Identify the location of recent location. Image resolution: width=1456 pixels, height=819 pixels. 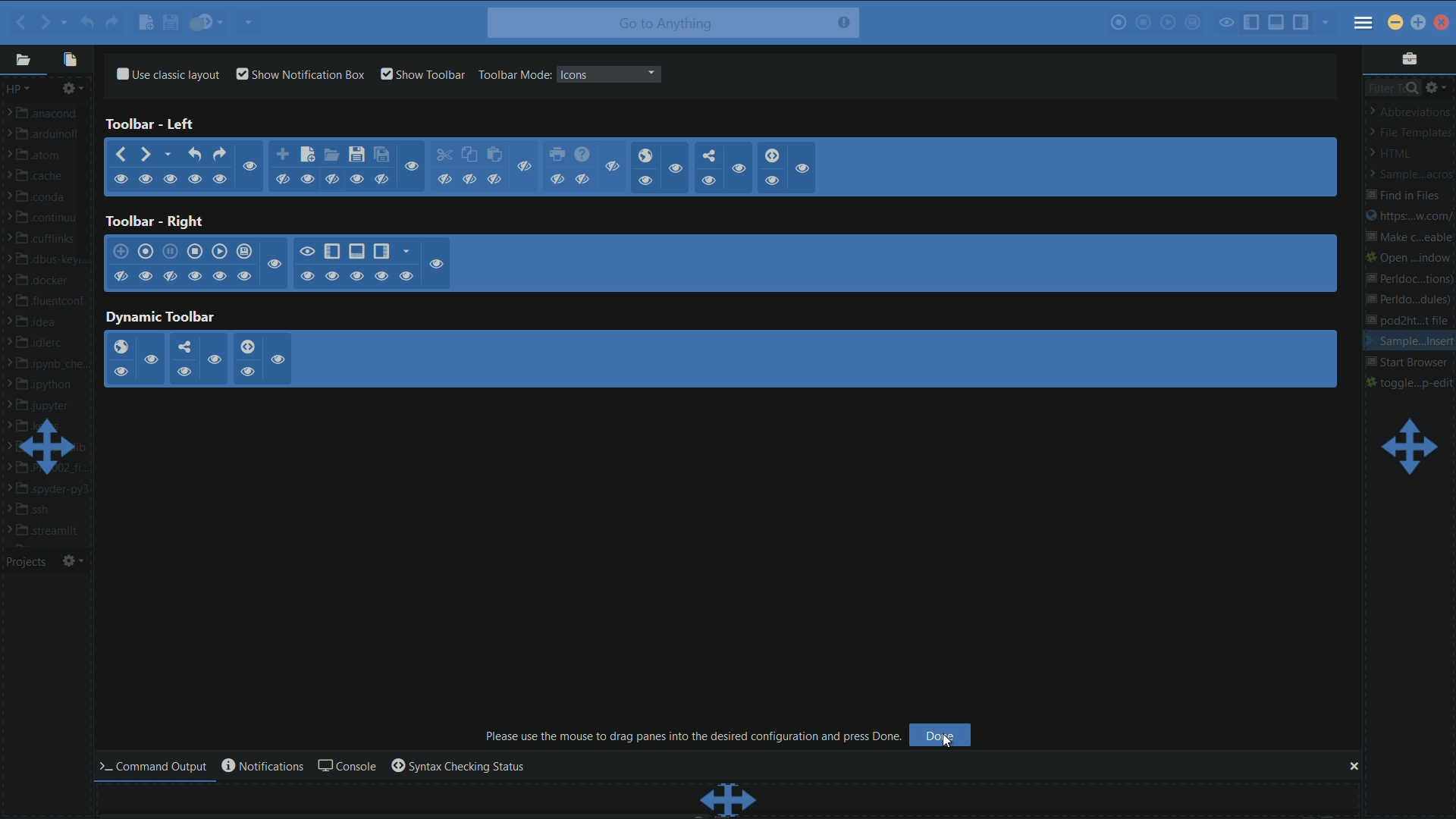
(171, 153).